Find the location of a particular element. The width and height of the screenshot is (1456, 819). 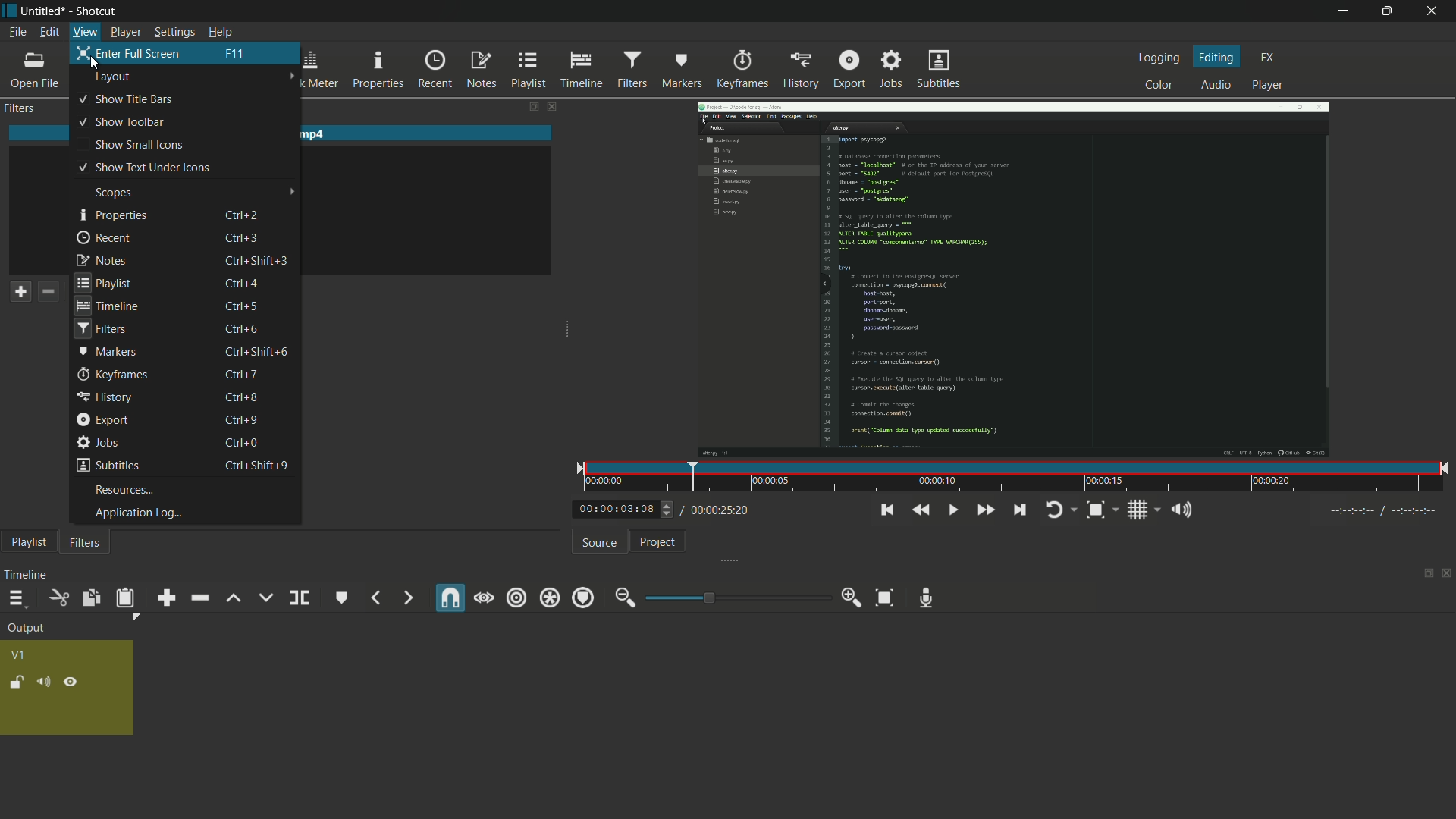

notes is located at coordinates (479, 69).